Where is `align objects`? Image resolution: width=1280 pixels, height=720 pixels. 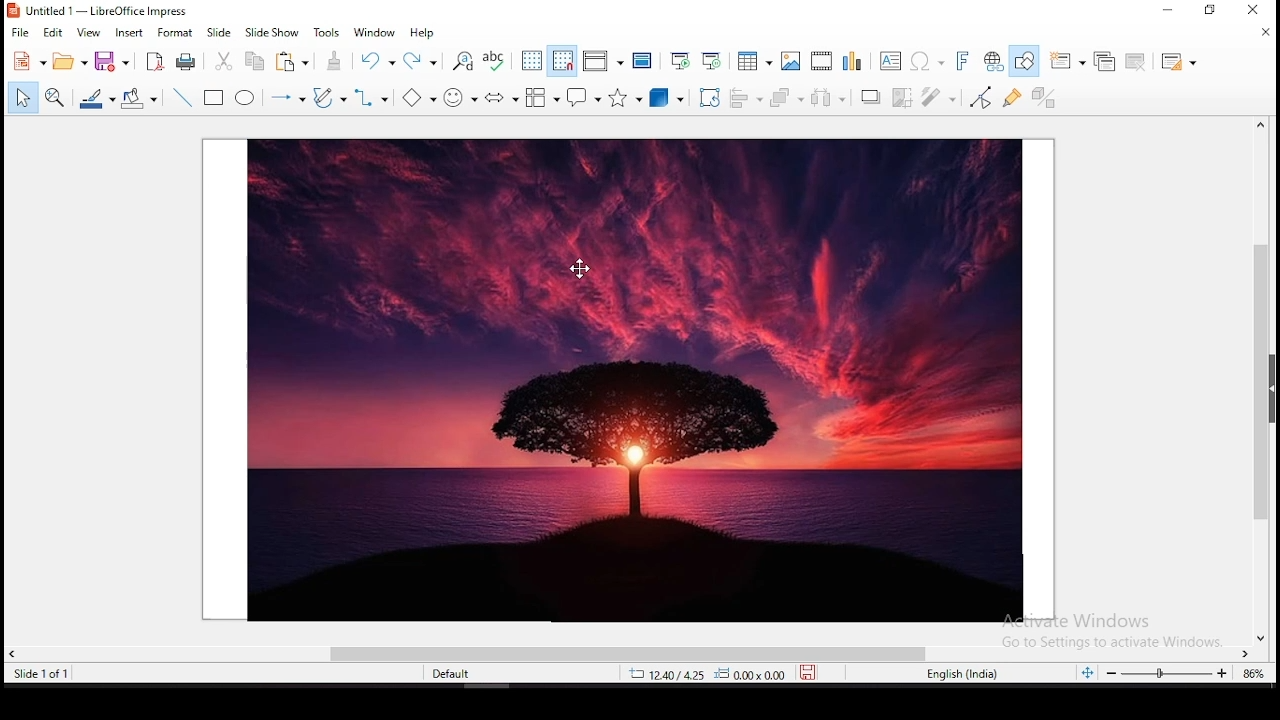 align objects is located at coordinates (748, 100).